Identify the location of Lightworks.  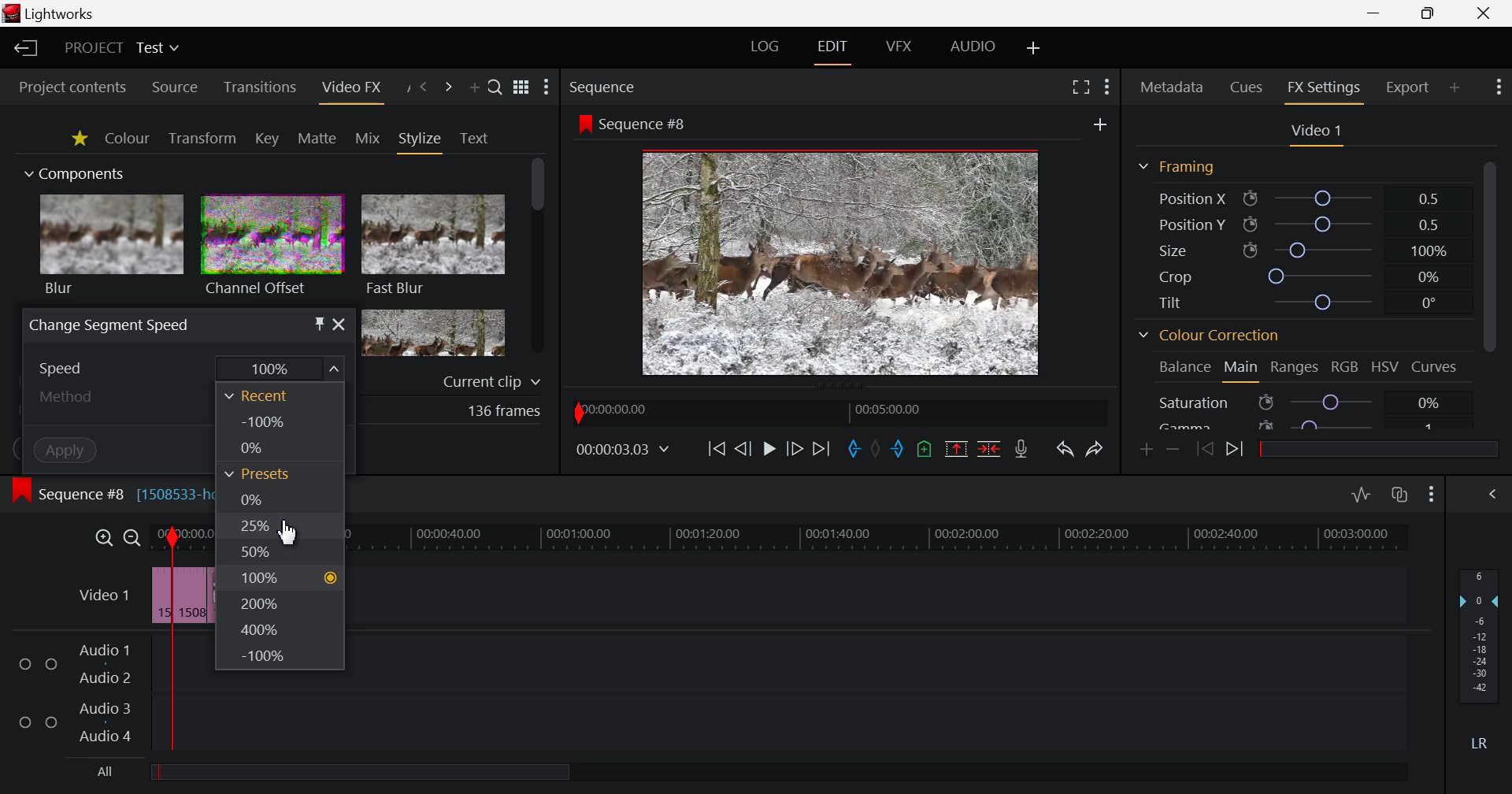
(52, 13).